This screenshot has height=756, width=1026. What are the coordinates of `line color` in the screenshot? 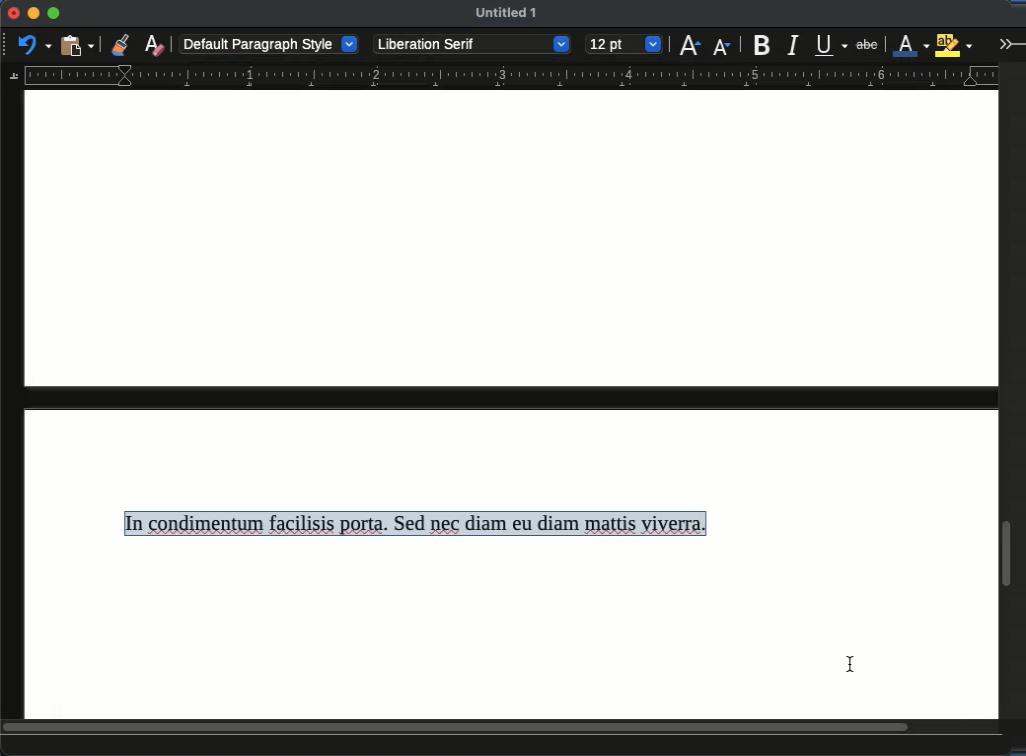 It's located at (911, 44).